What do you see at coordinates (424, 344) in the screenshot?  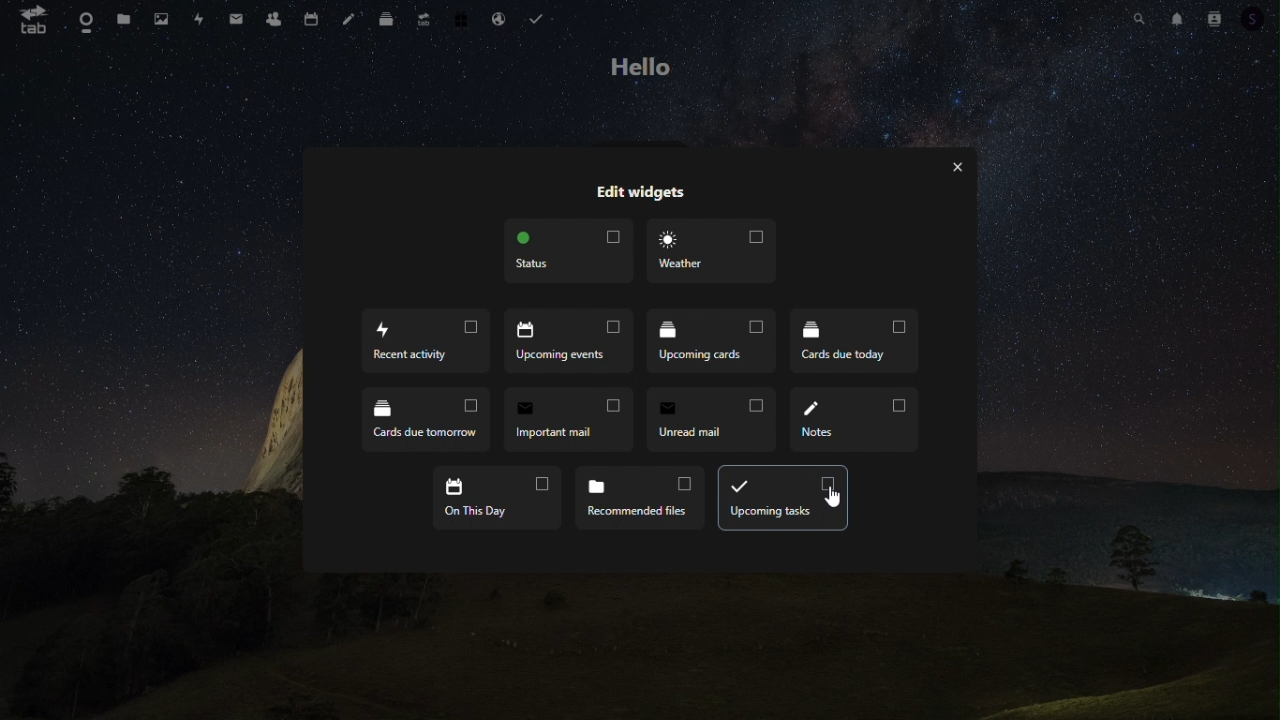 I see `Recent activity` at bounding box center [424, 344].